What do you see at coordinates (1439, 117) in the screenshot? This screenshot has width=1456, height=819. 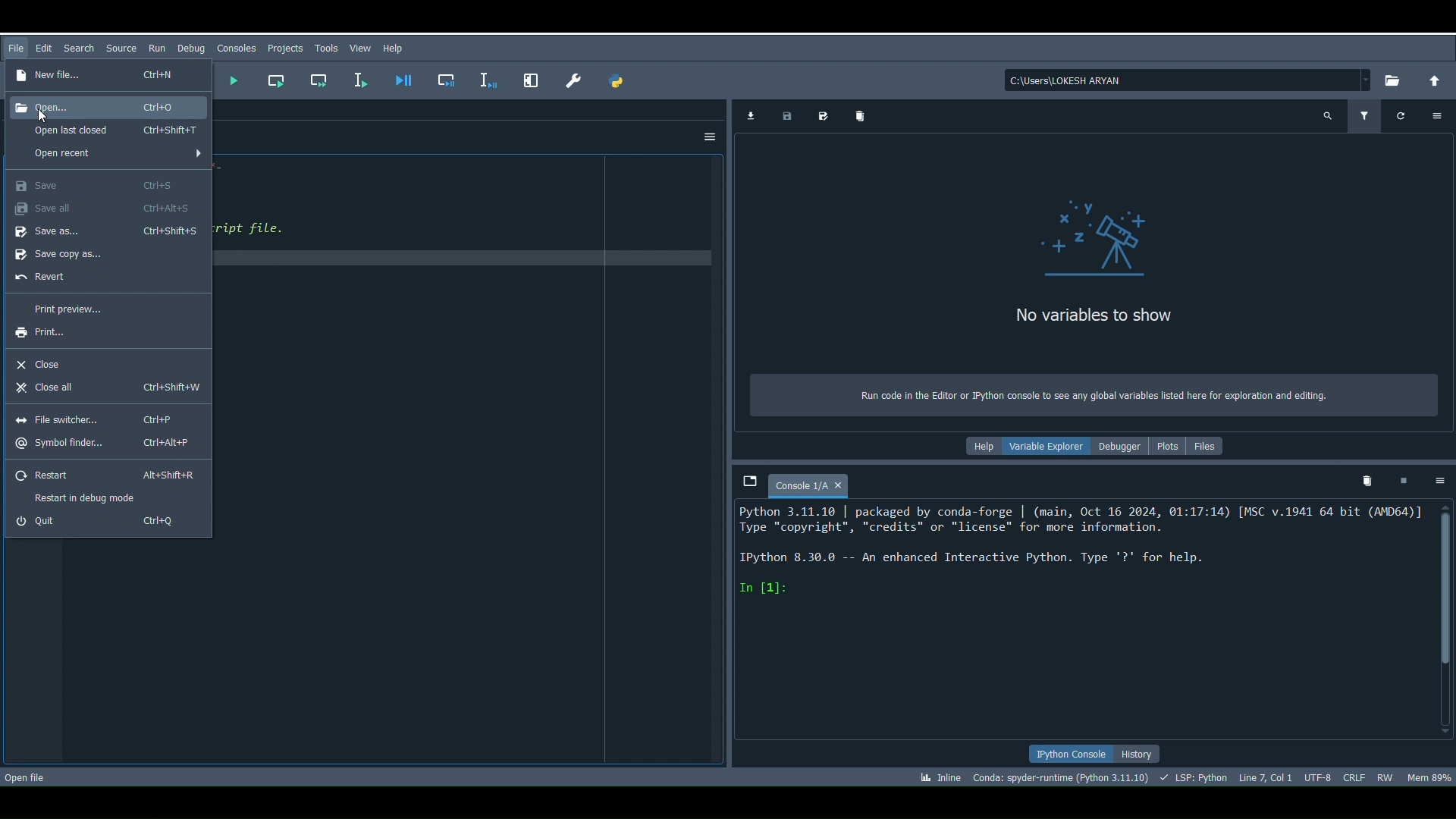 I see `Options` at bounding box center [1439, 117].